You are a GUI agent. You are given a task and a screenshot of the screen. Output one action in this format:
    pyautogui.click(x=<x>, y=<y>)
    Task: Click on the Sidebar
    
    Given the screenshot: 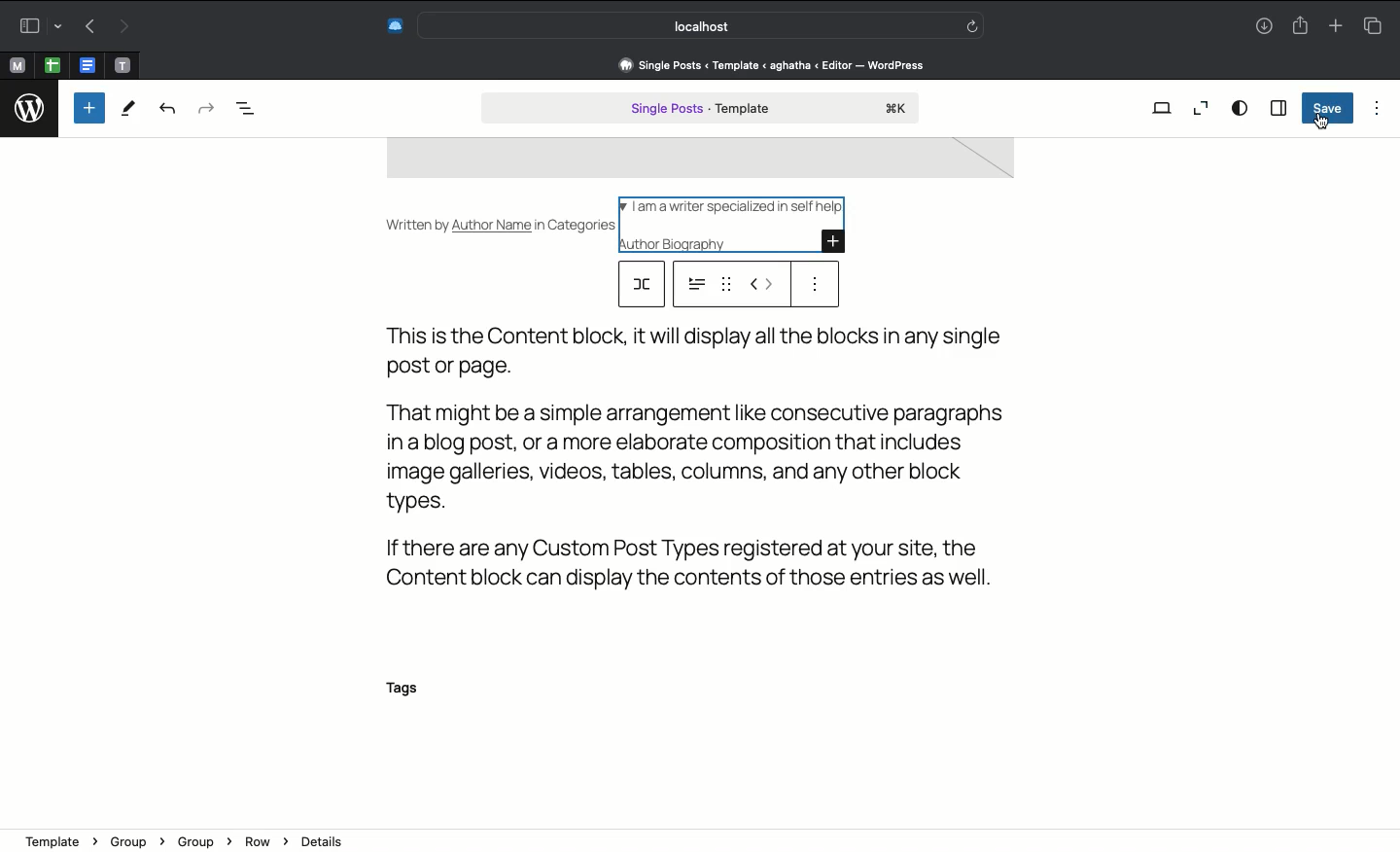 What is the action you would take?
    pyautogui.click(x=36, y=26)
    